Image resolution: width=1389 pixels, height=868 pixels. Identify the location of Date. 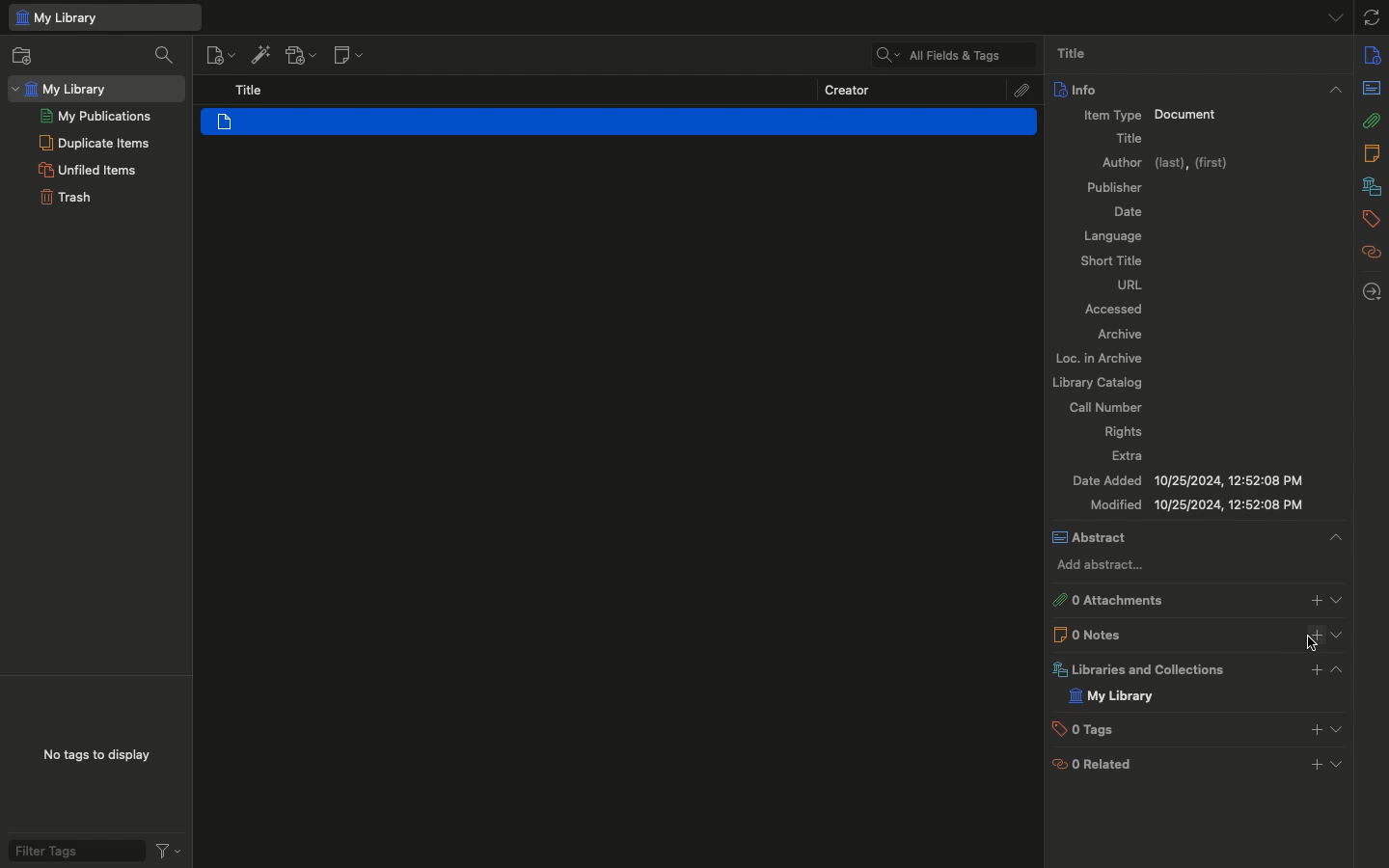
(1130, 210).